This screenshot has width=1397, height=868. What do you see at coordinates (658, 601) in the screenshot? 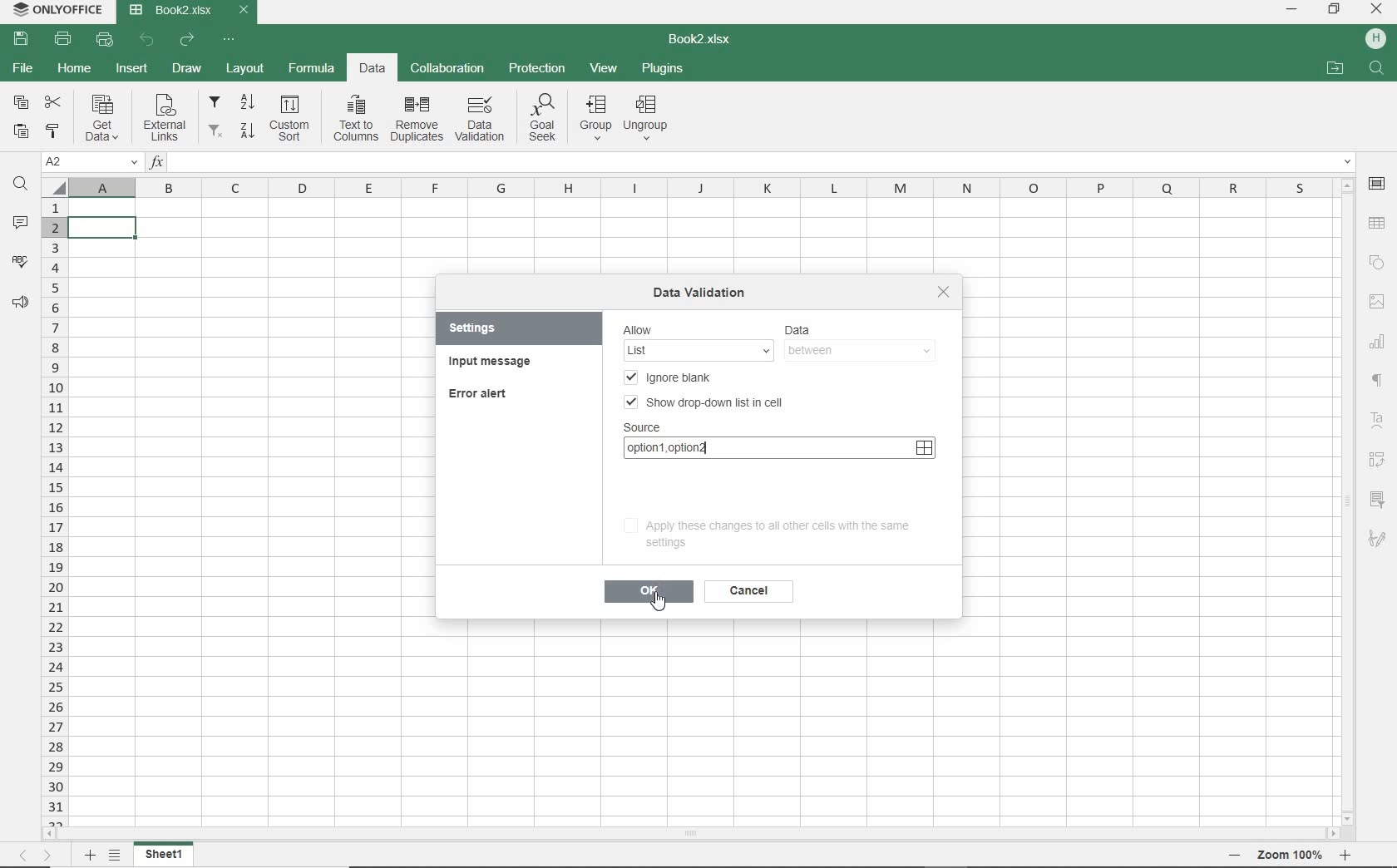
I see `CURSOR` at bounding box center [658, 601].